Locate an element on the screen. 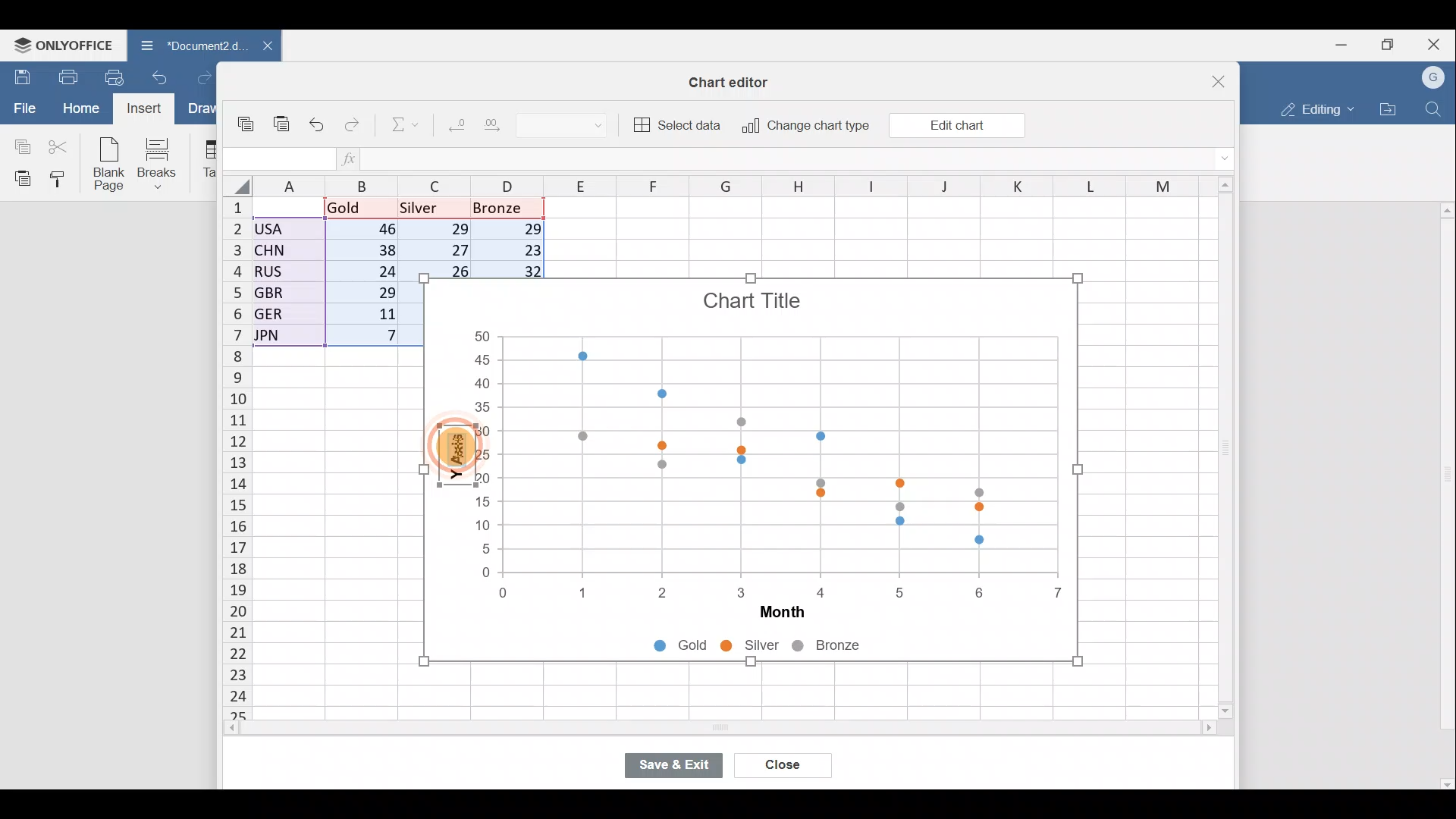  Decrease decimal is located at coordinates (453, 128).